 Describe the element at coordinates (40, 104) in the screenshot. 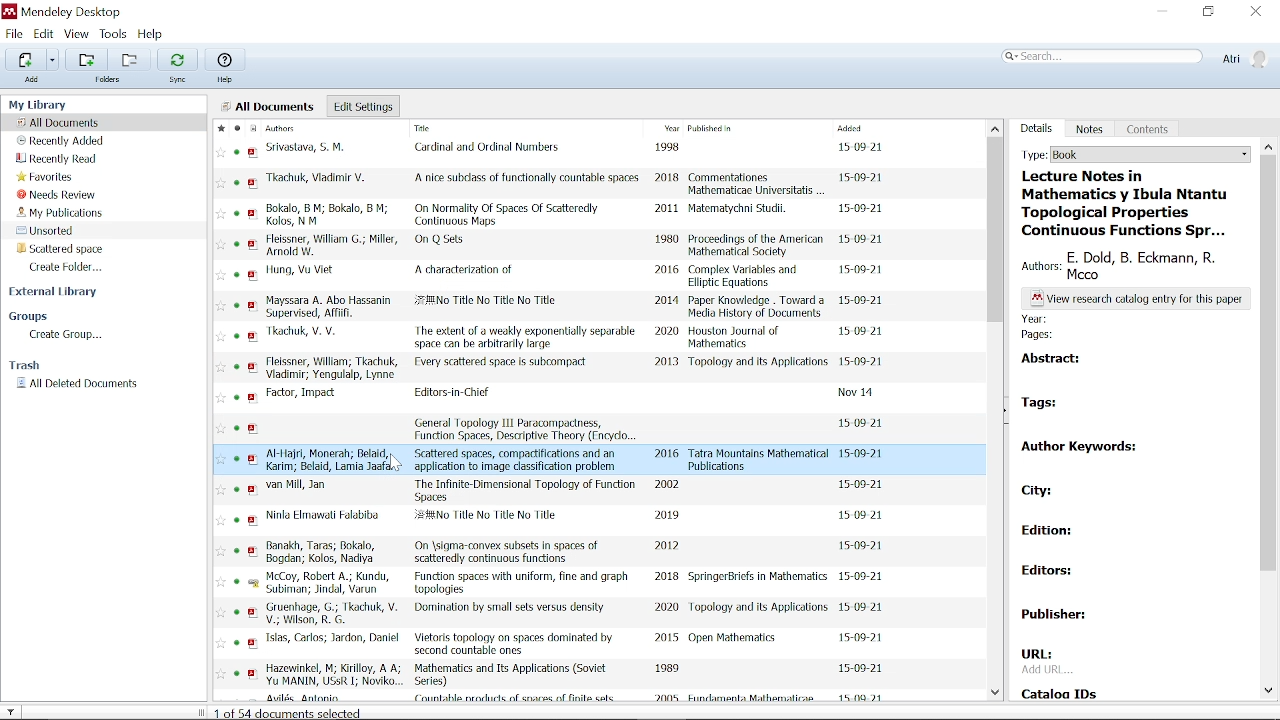

I see `my library` at that location.